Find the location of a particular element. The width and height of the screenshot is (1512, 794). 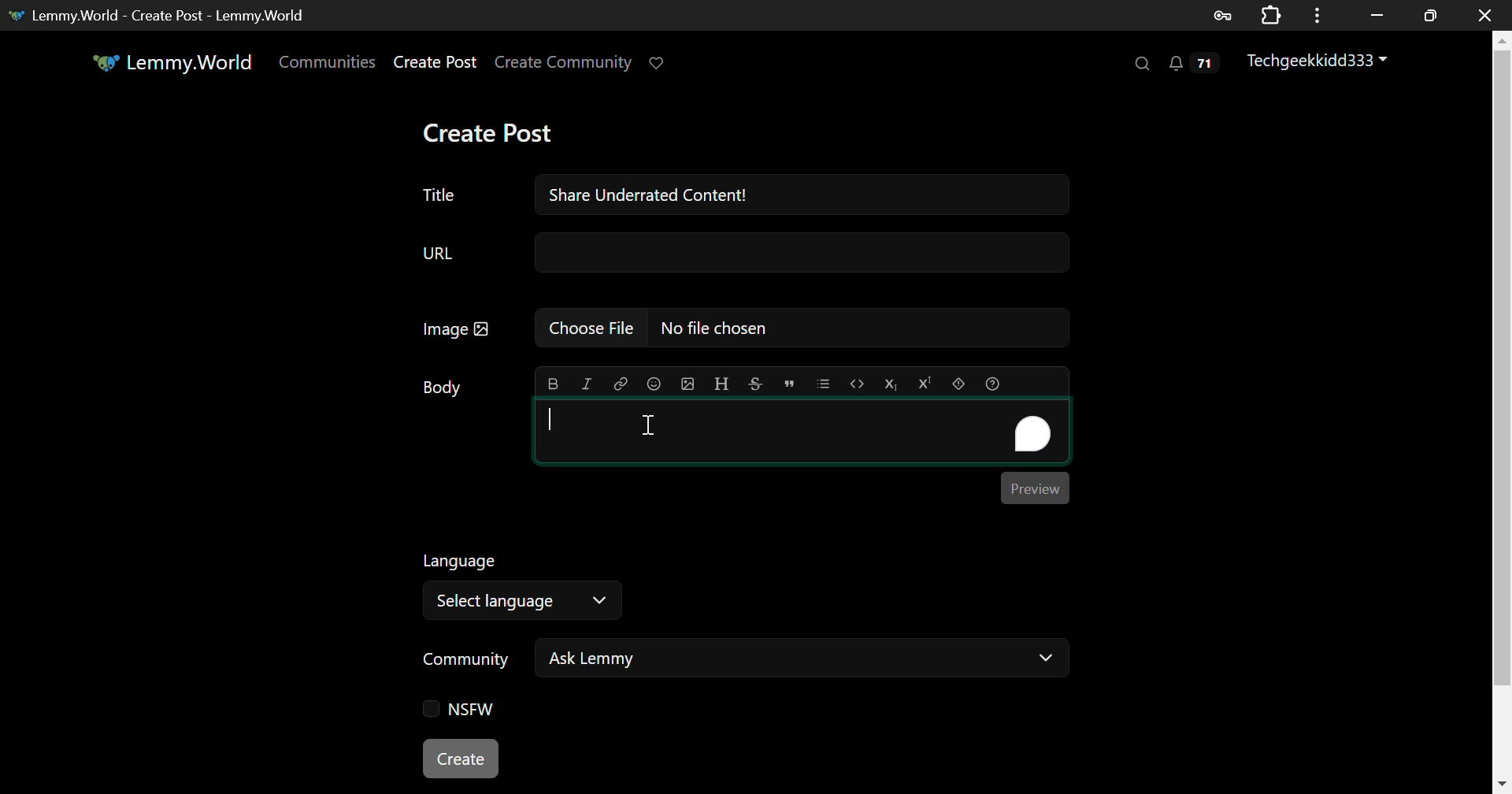

Share Underrated Content is located at coordinates (803, 194).